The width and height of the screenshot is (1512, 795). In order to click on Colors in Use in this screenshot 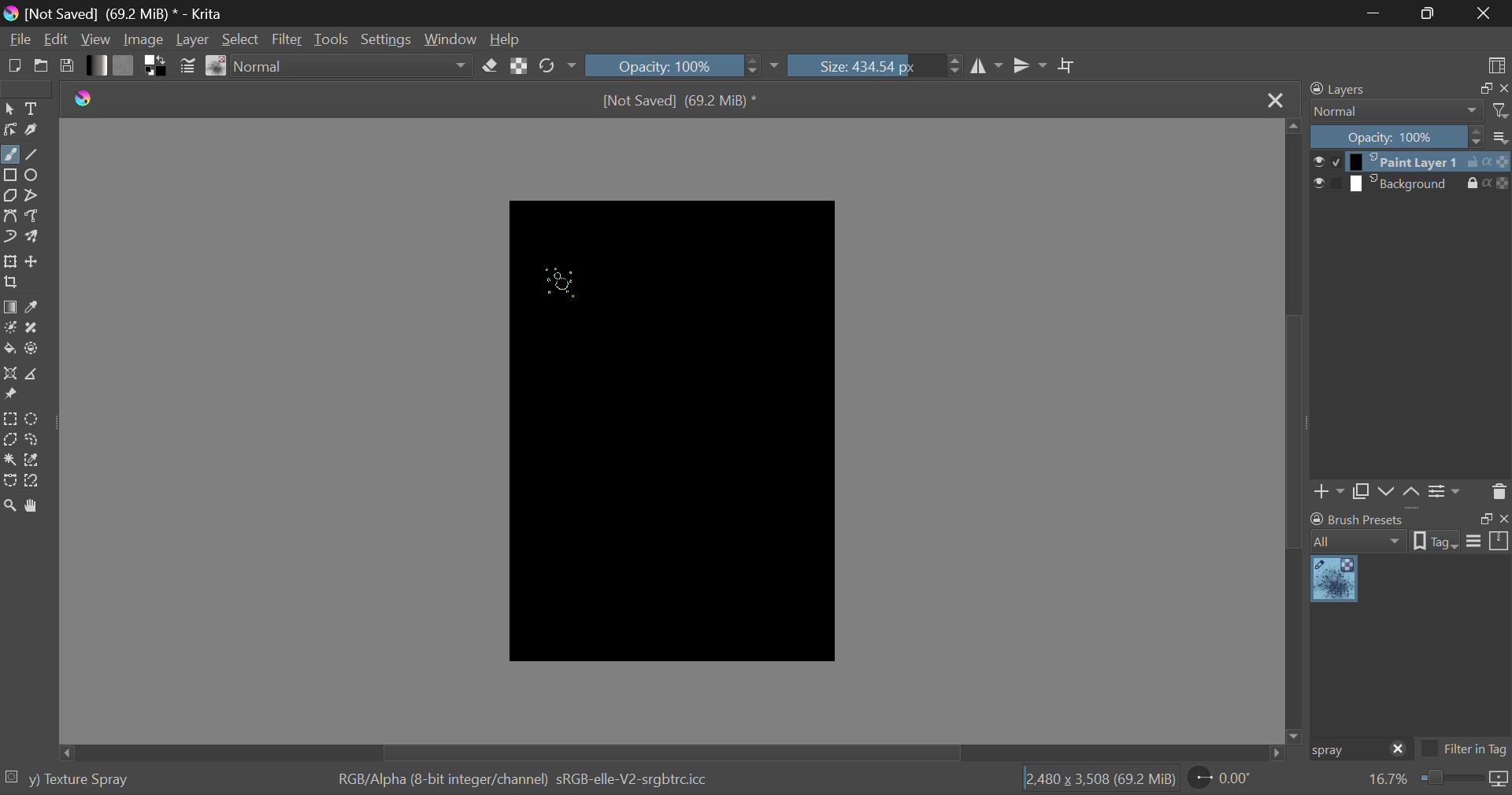, I will do `click(157, 66)`.